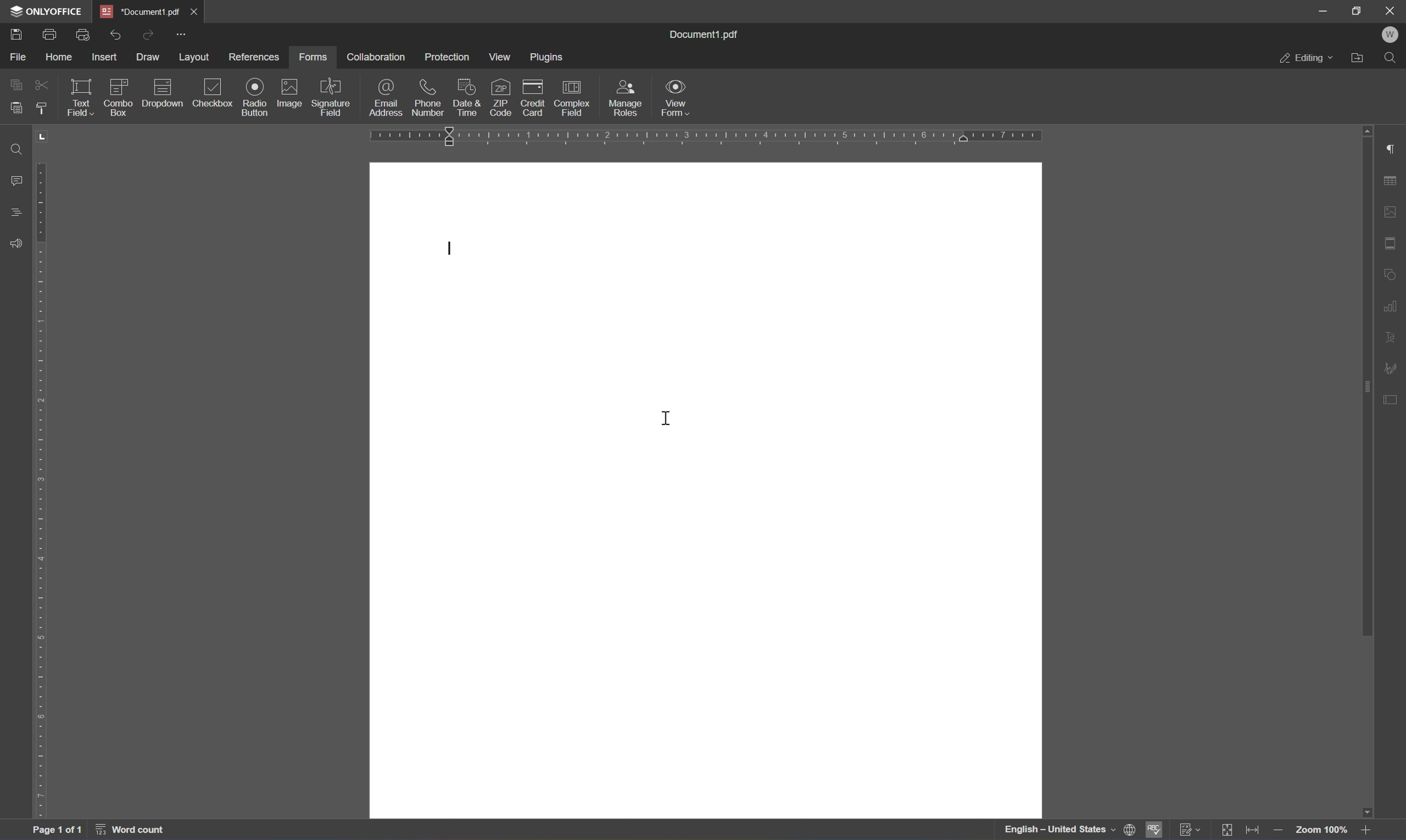 The width and height of the screenshot is (1406, 840). Describe the element at coordinates (182, 34) in the screenshot. I see `customize quick access toolbar` at that location.